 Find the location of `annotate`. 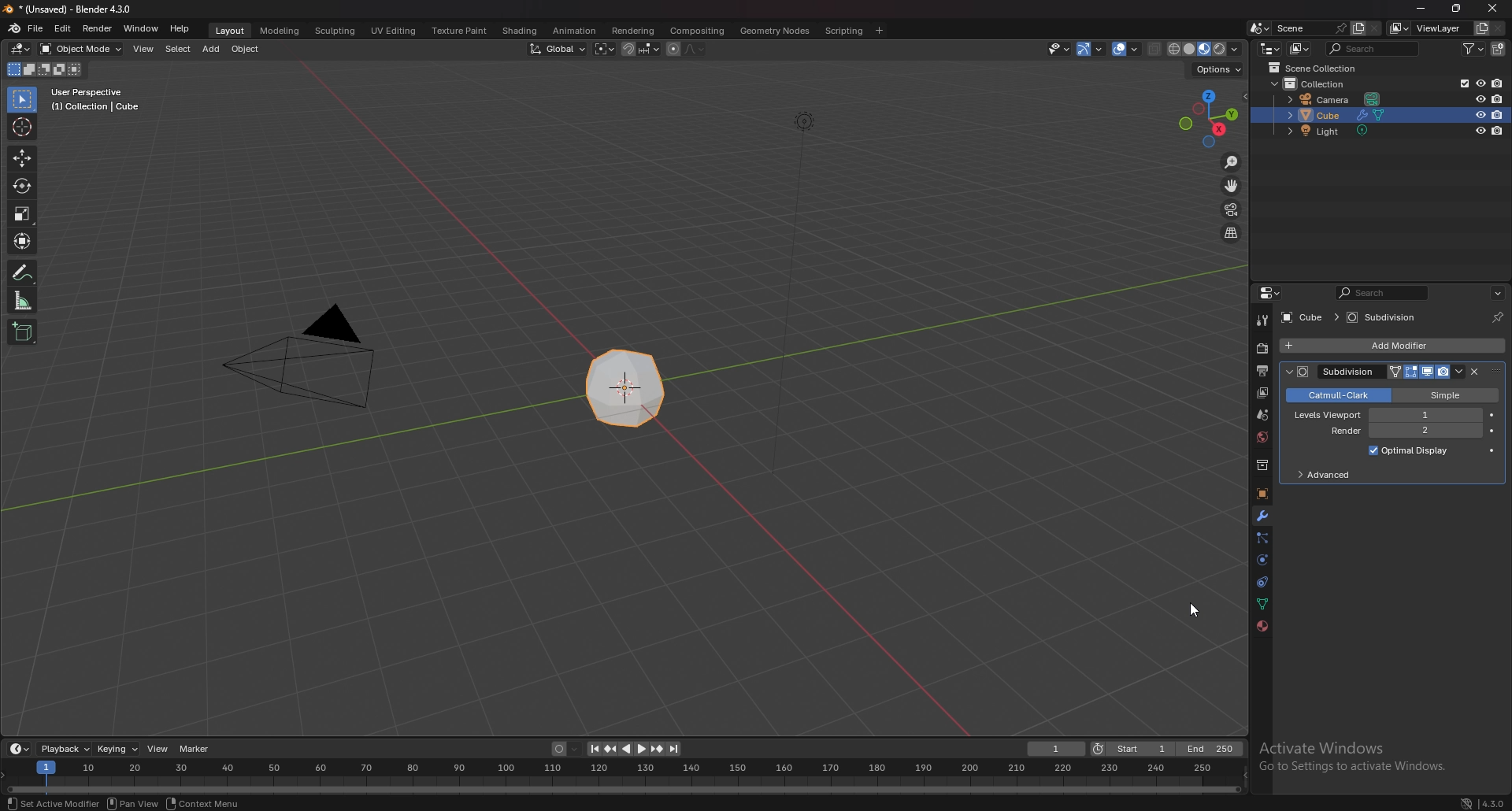

annotate is located at coordinates (22, 273).